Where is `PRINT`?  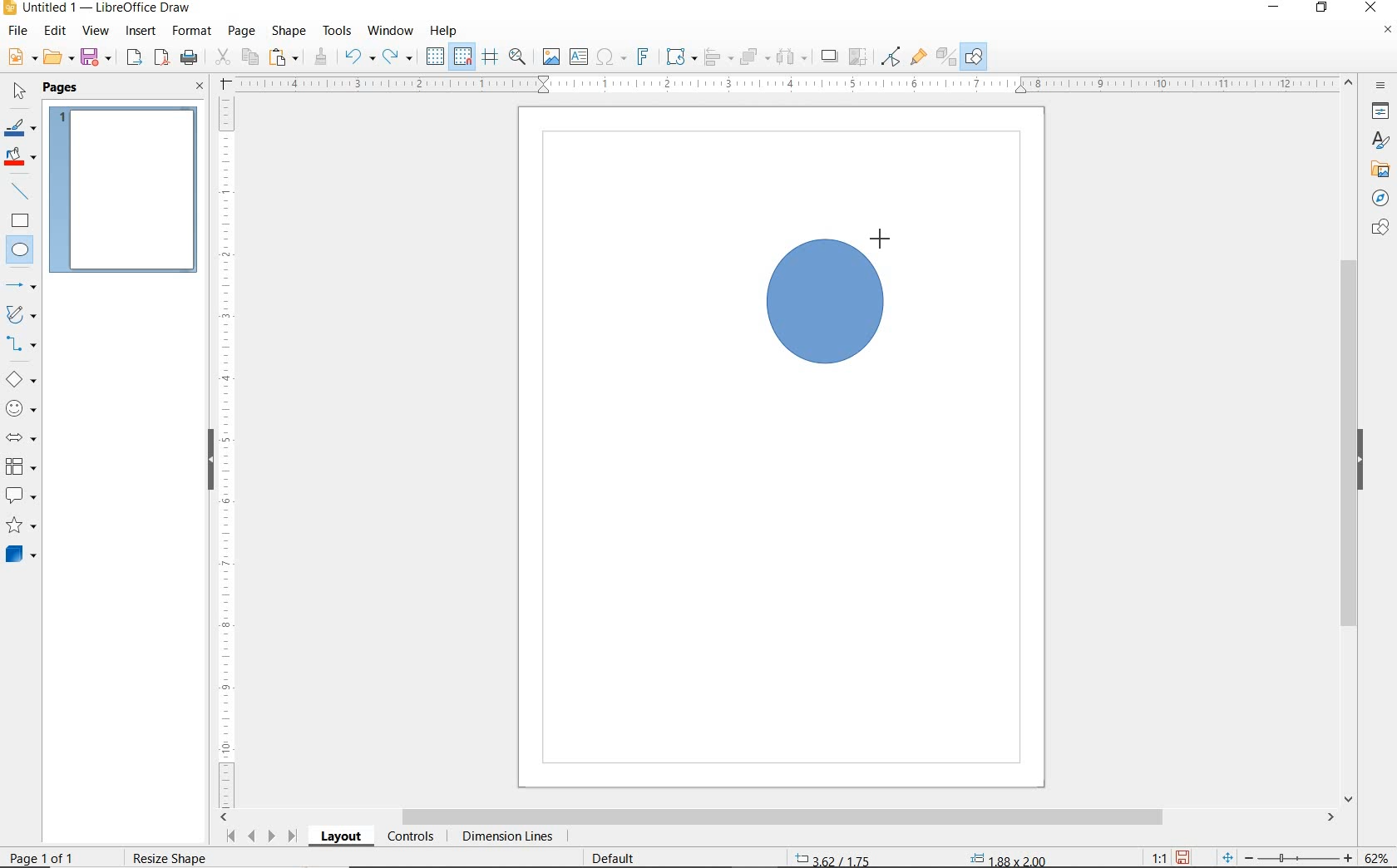 PRINT is located at coordinates (190, 57).